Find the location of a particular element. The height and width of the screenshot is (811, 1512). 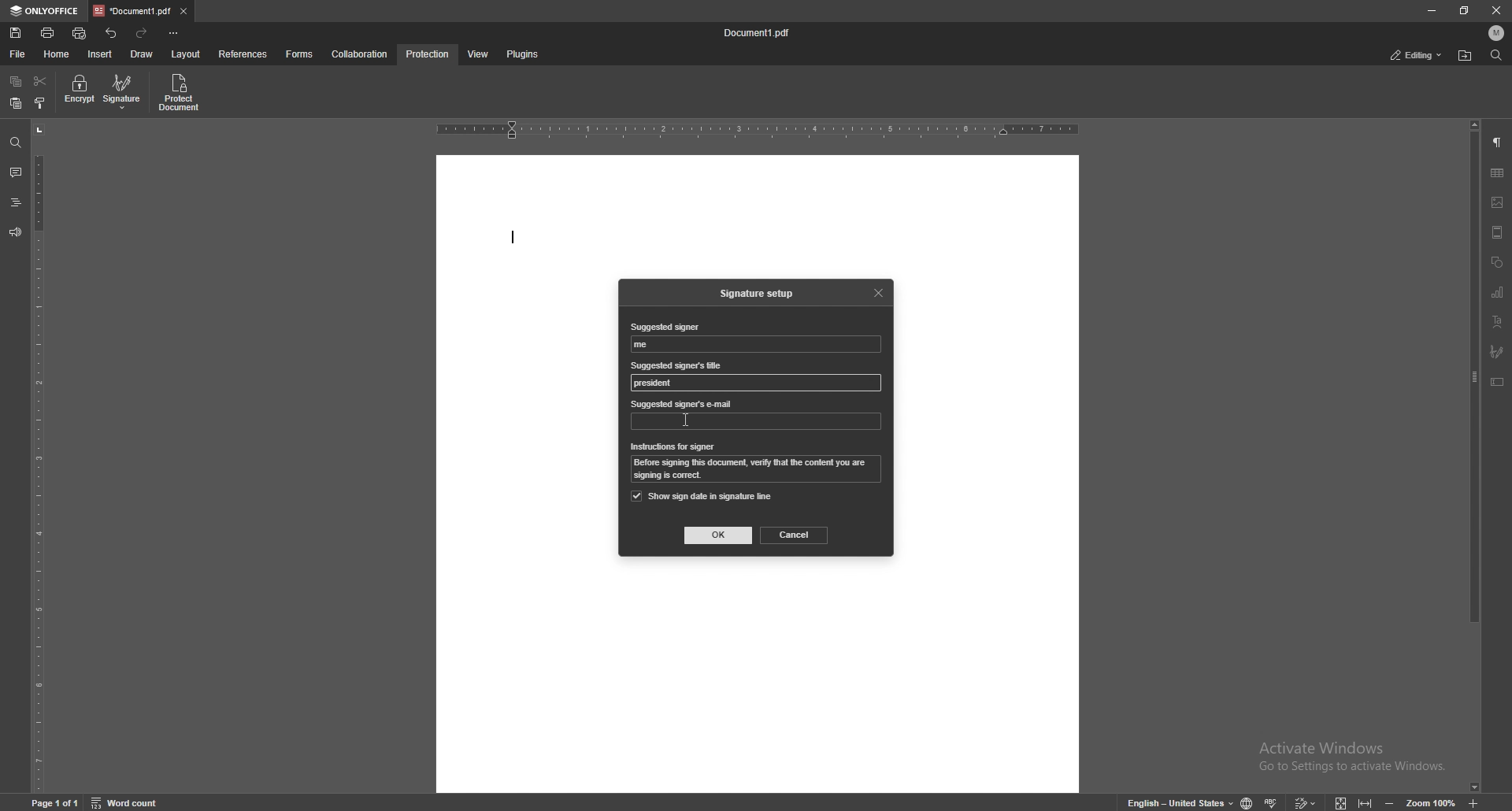

word count is located at coordinates (135, 802).